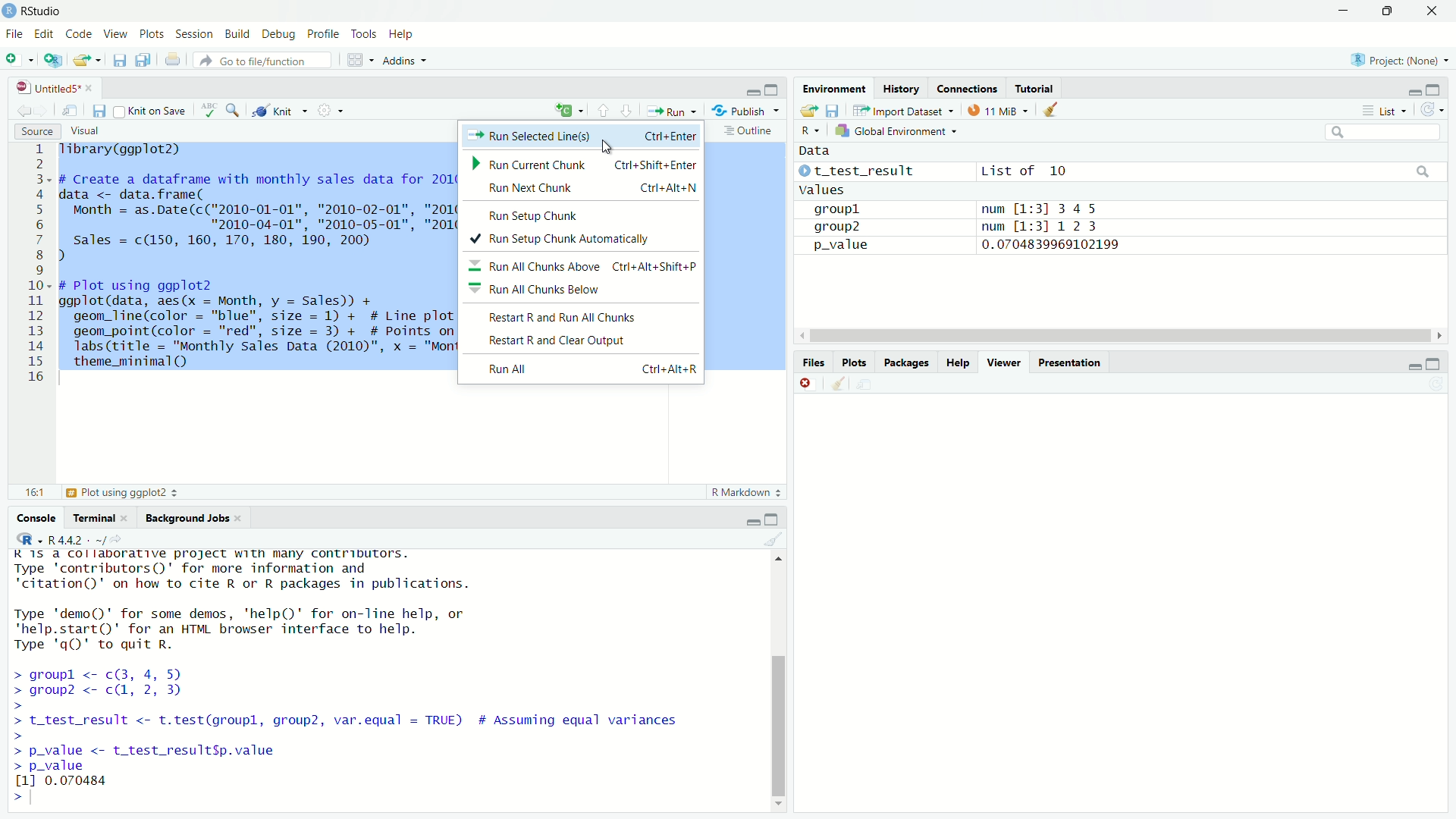 This screenshot has height=819, width=1456. I want to click on refresh the workspace, so click(1432, 111).